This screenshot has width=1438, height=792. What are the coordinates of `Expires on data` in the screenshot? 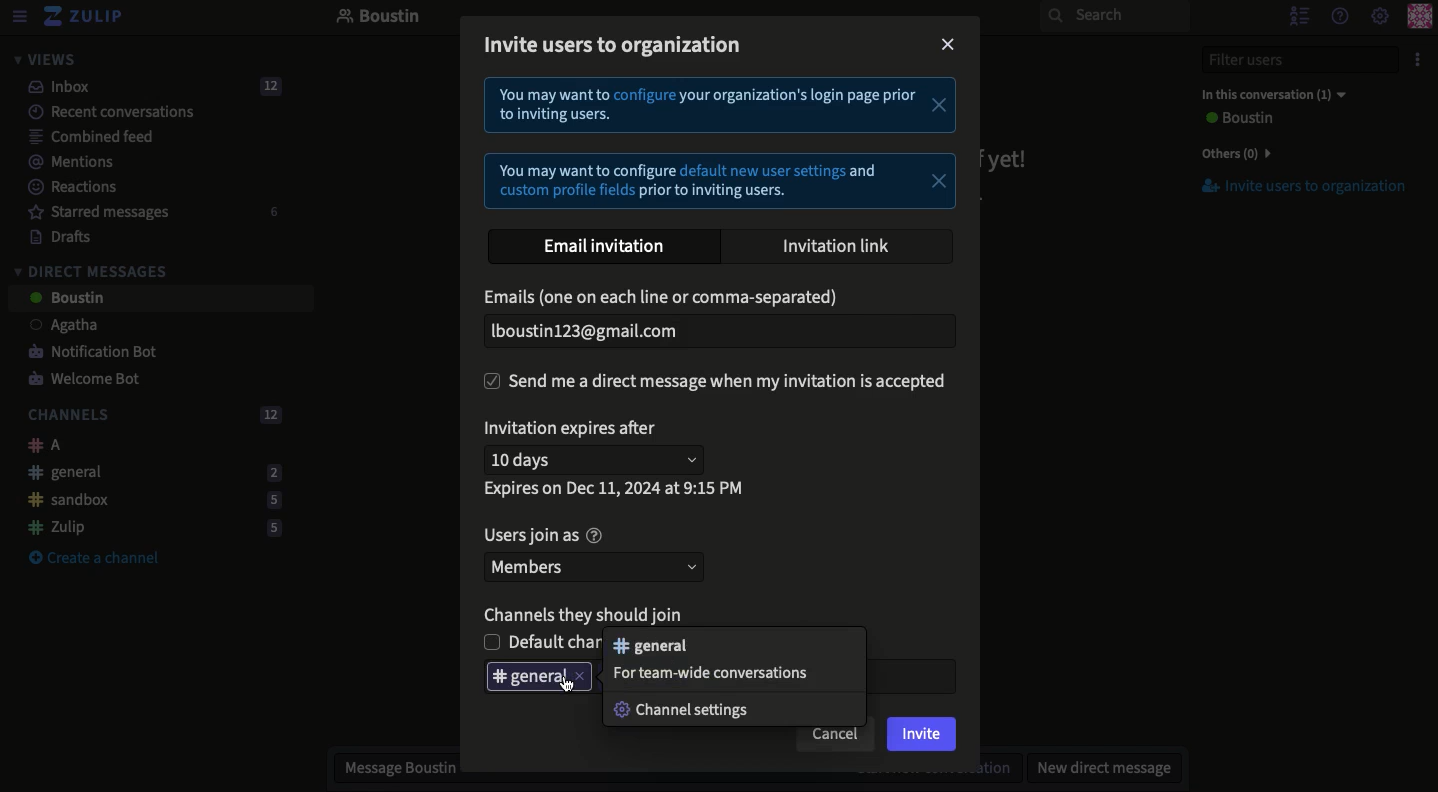 It's located at (616, 489).